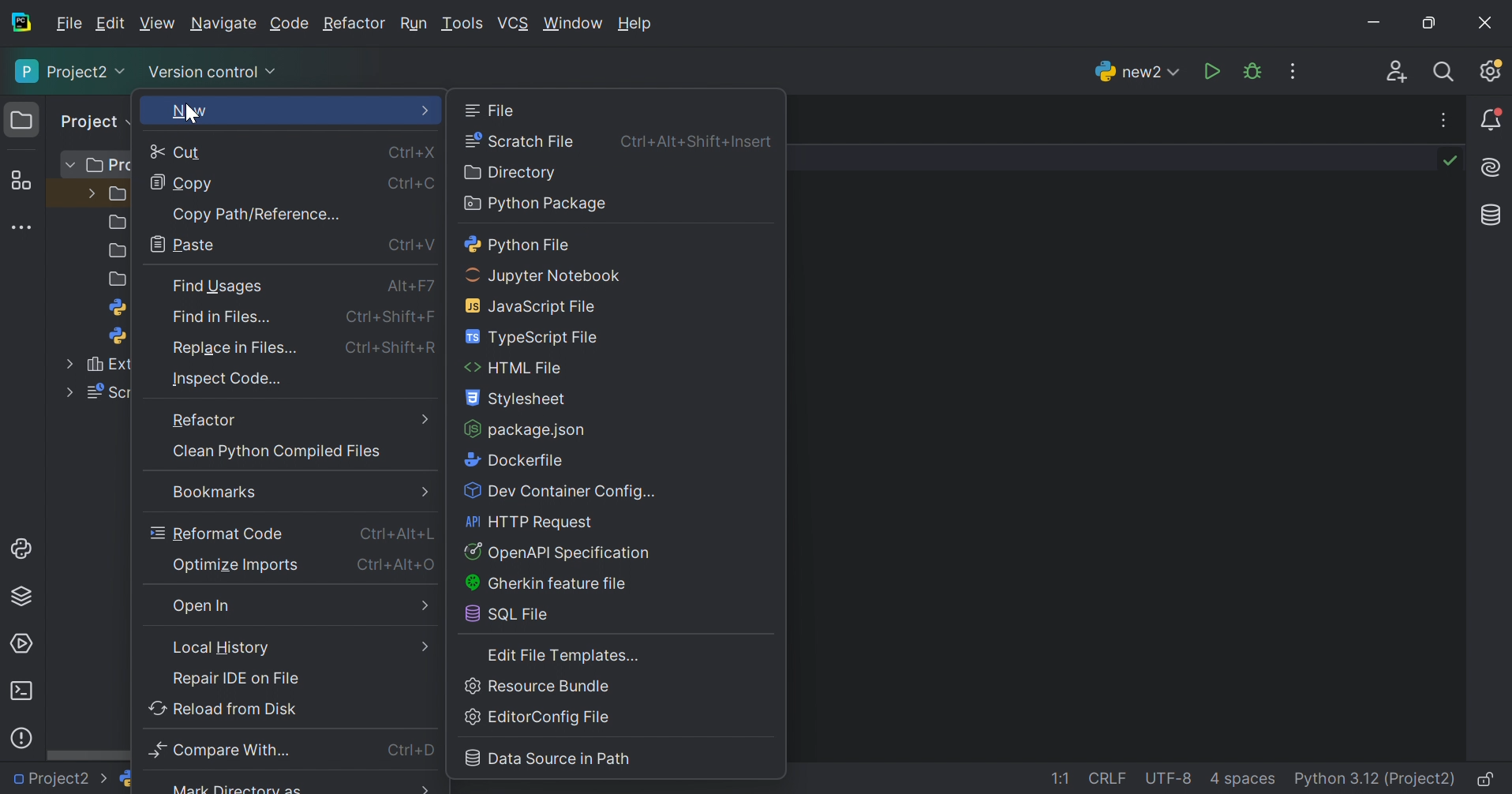  I want to click on Recent files, tab actions, and more, so click(1445, 120).